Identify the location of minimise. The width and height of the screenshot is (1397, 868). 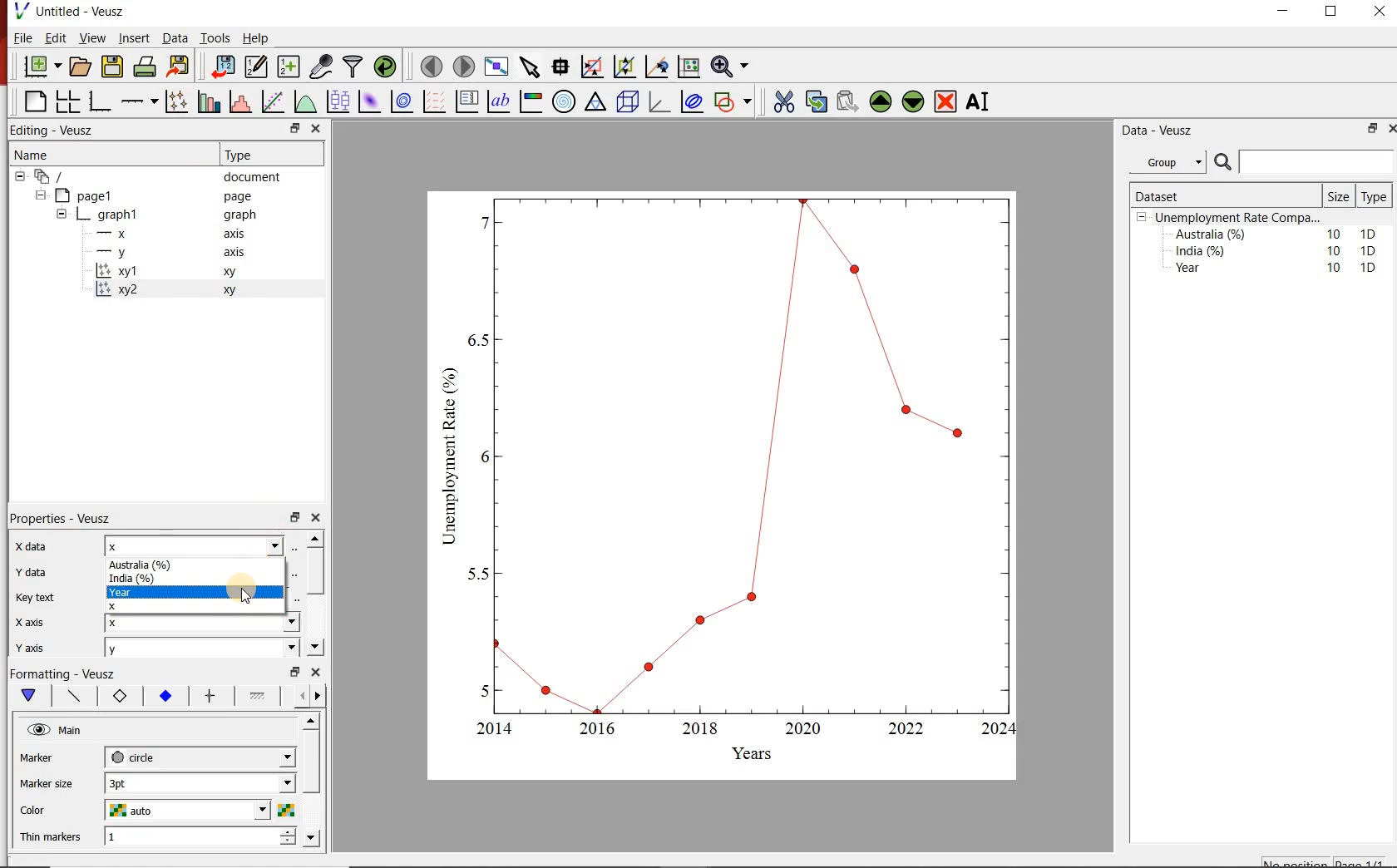
(295, 670).